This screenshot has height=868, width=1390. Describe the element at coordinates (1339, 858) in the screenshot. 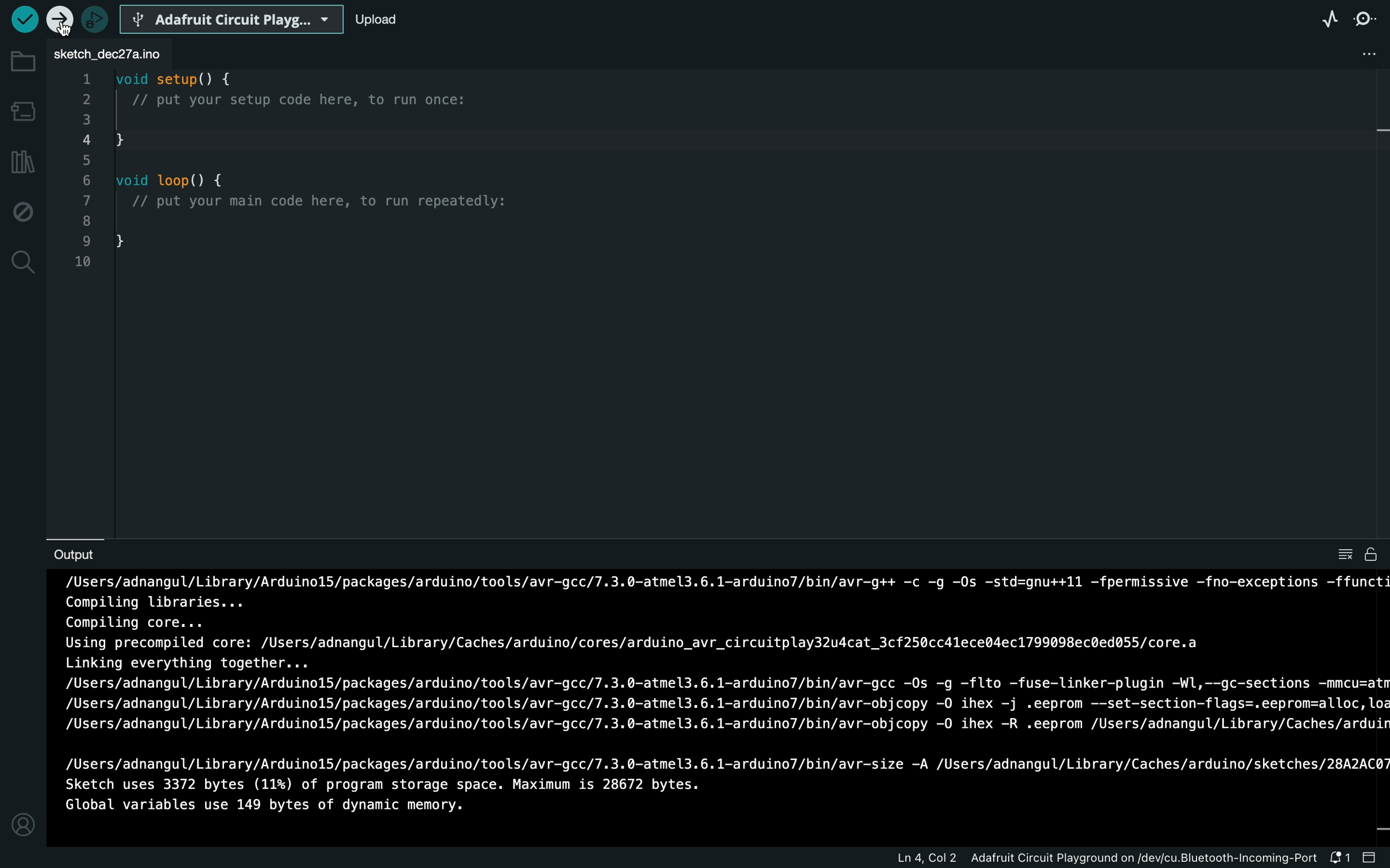

I see `notification` at that location.